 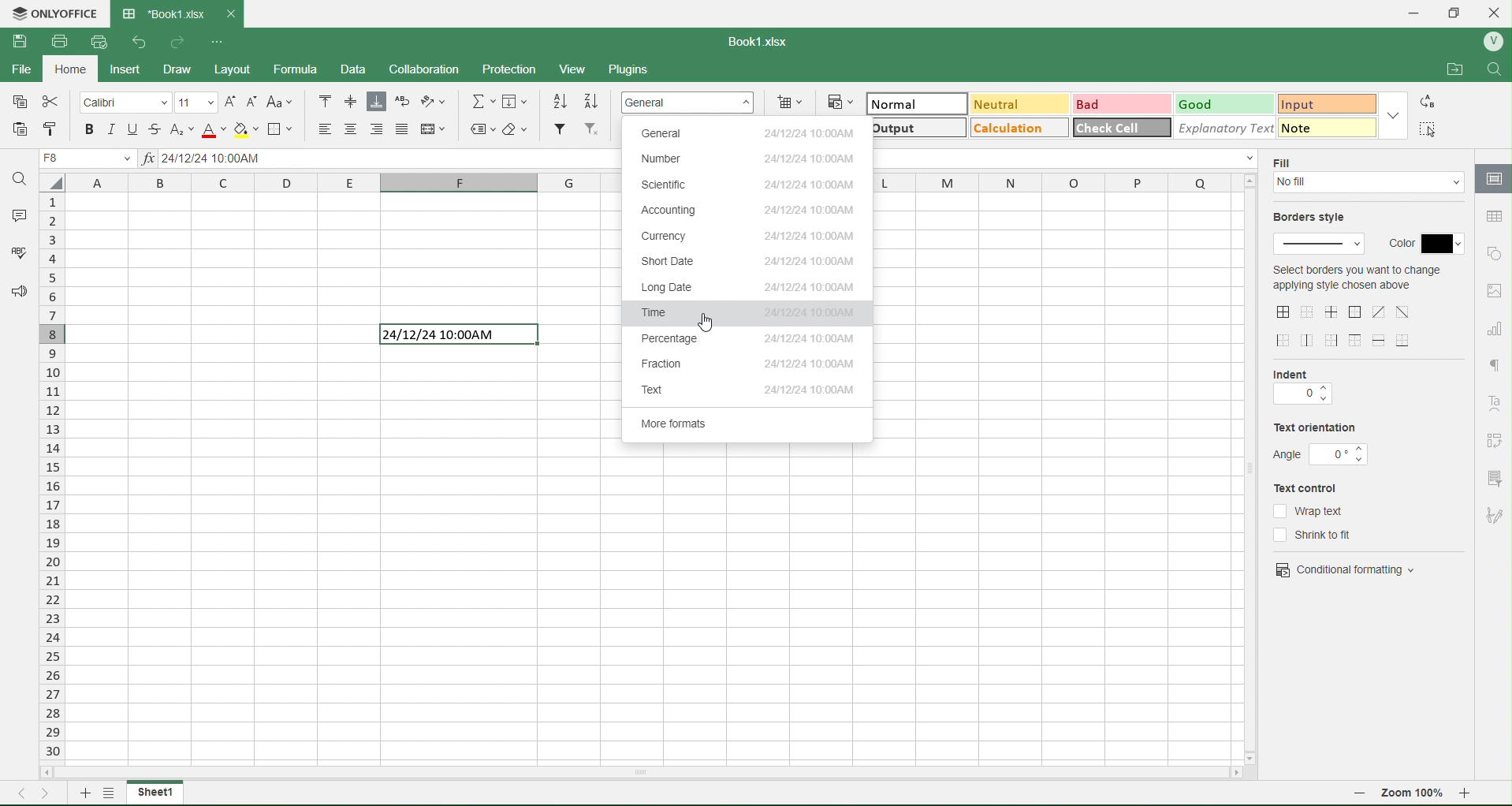 What do you see at coordinates (196, 101) in the screenshot?
I see `Font Size` at bounding box center [196, 101].